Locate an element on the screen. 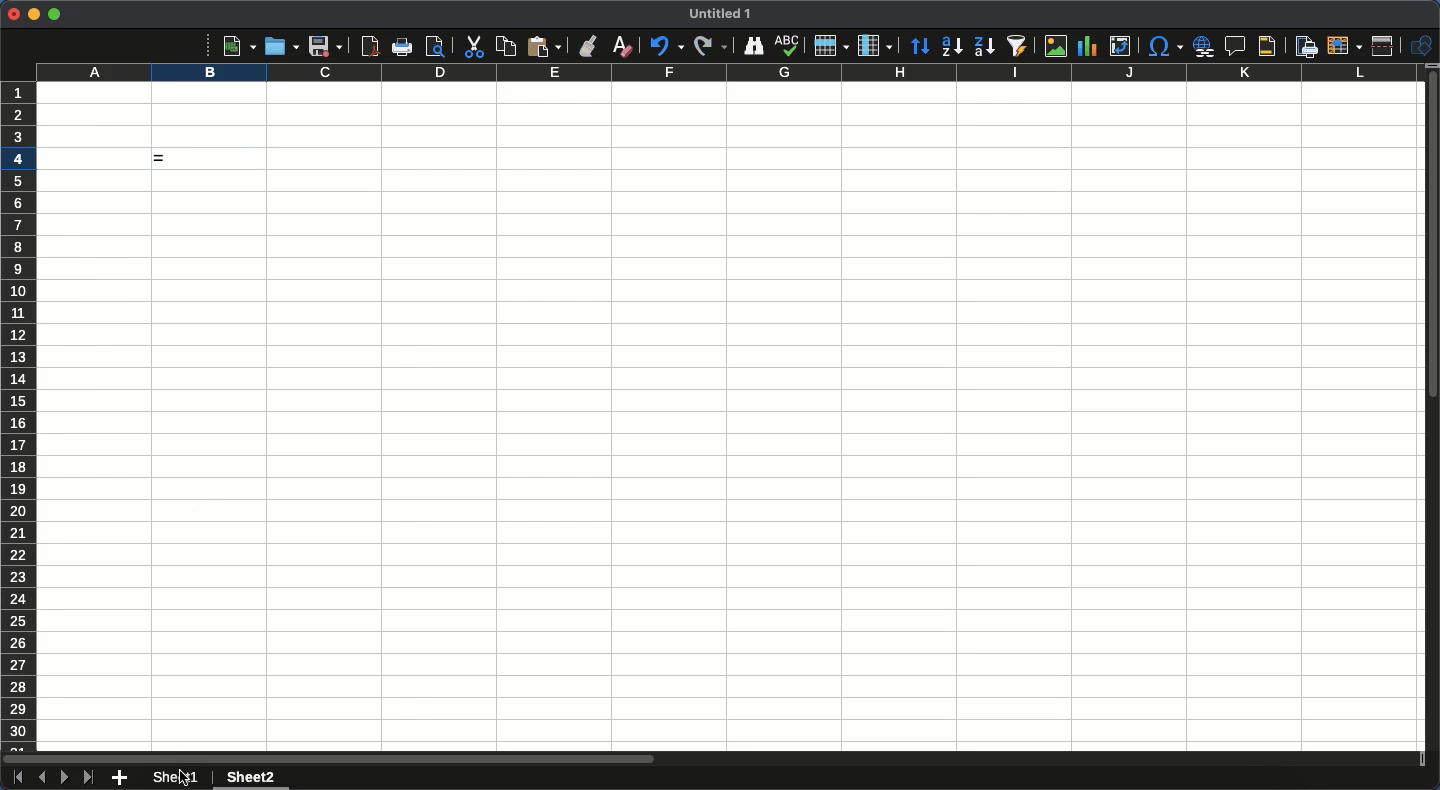 The width and height of the screenshot is (1440, 790). Last sheet is located at coordinates (88, 777).